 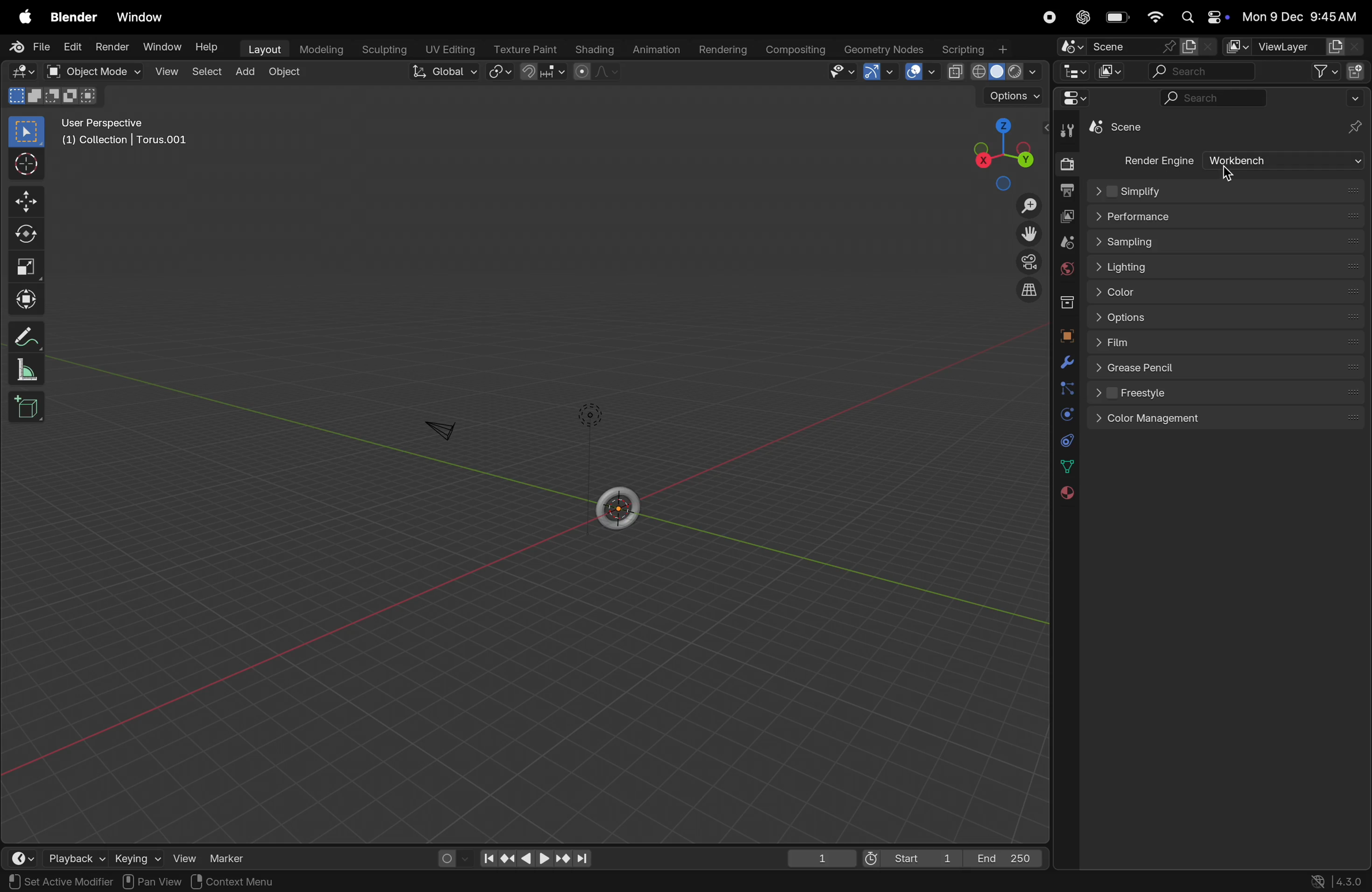 I want to click on Window, so click(x=165, y=44).